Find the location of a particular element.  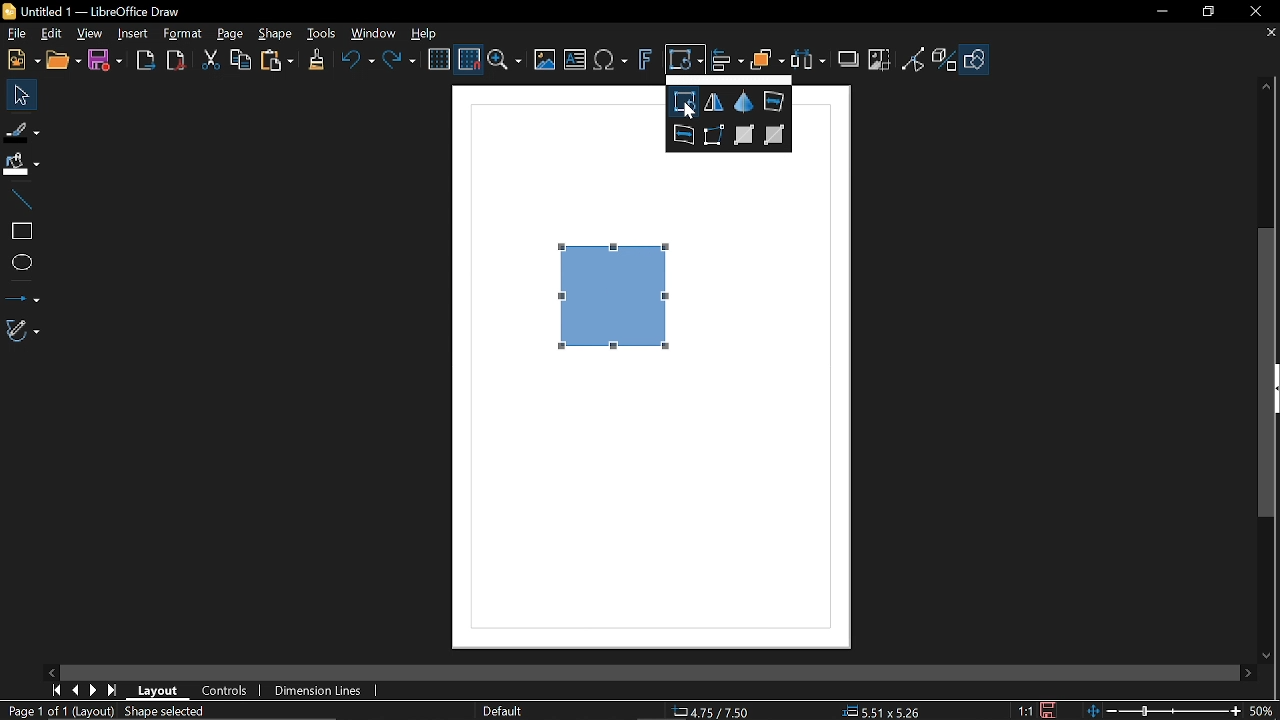

Crop is located at coordinates (879, 60).